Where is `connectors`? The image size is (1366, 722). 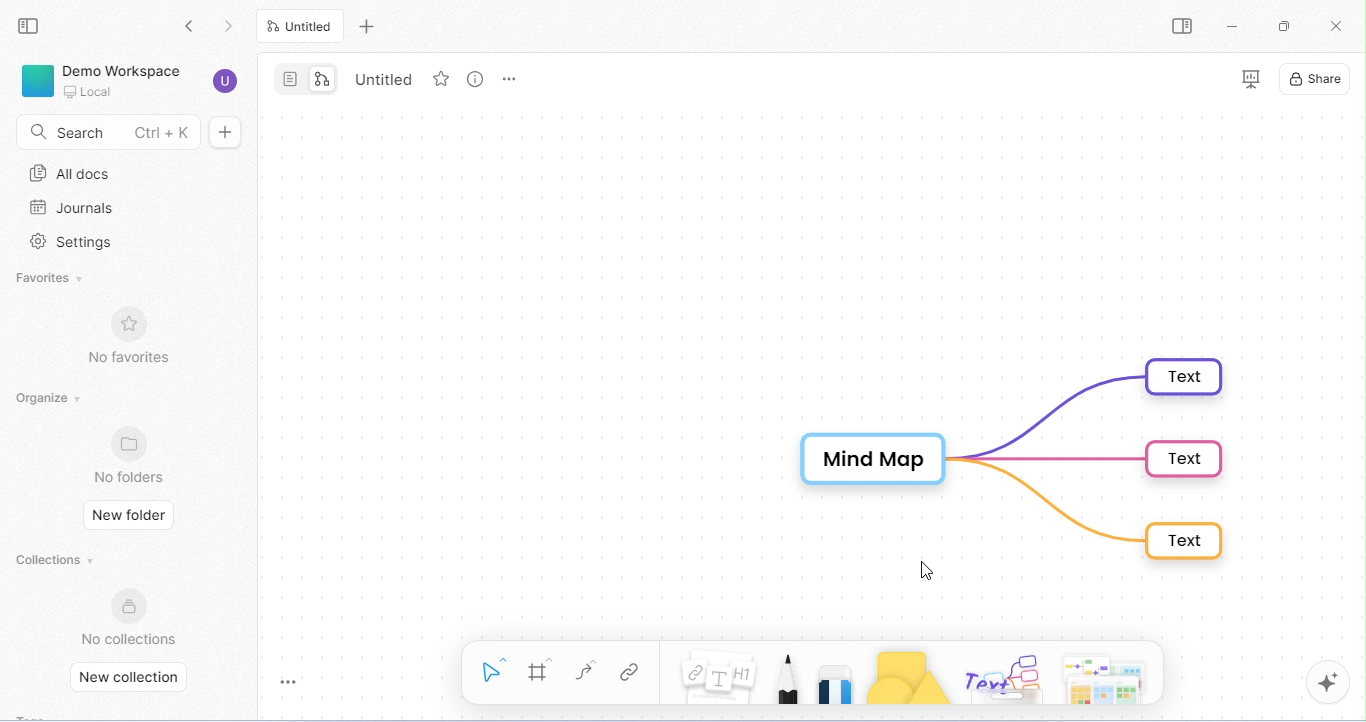
connectors is located at coordinates (586, 671).